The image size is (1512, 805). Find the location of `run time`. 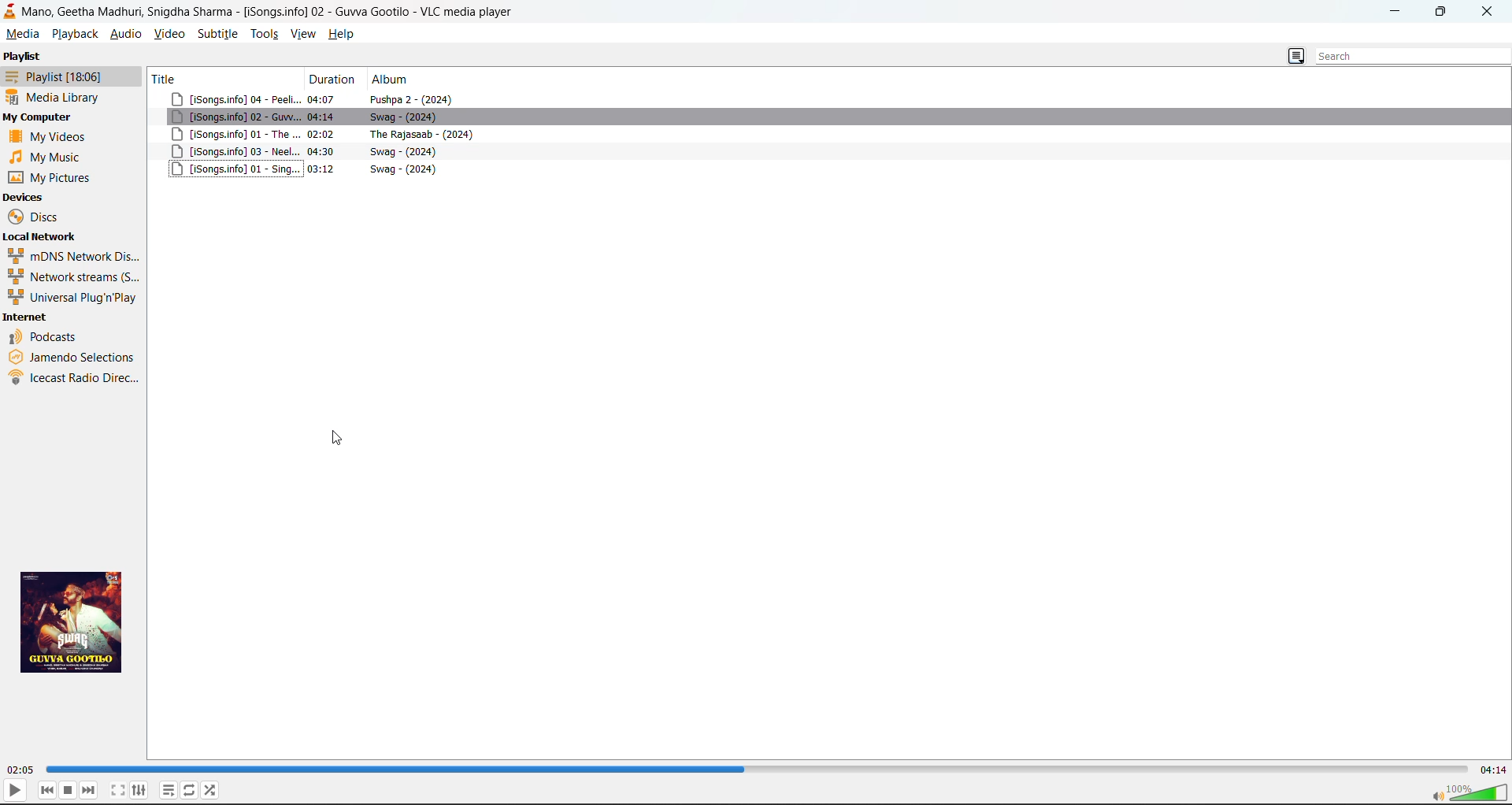

run time is located at coordinates (22, 770).